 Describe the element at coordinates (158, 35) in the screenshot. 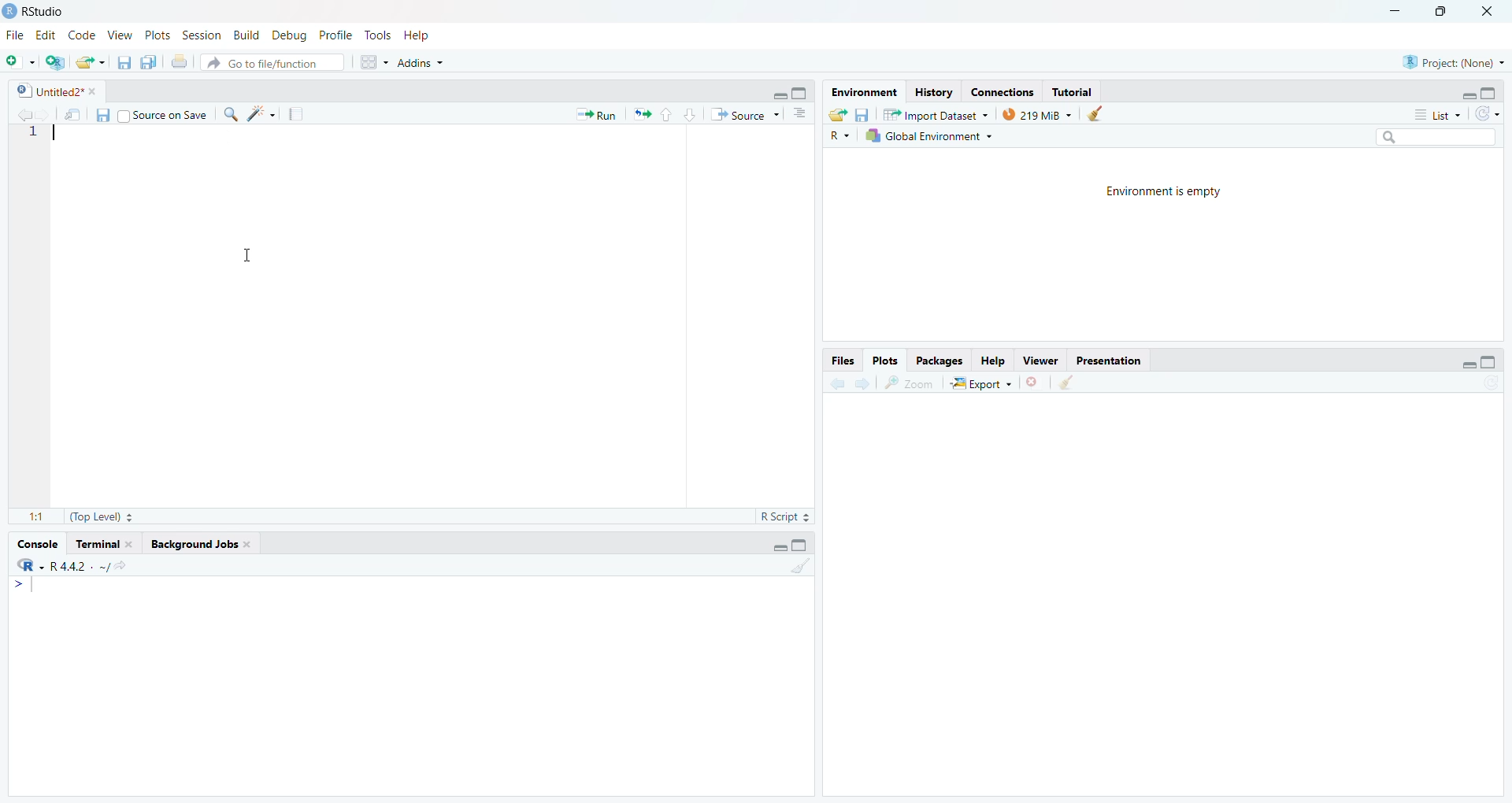

I see `Plots` at that location.